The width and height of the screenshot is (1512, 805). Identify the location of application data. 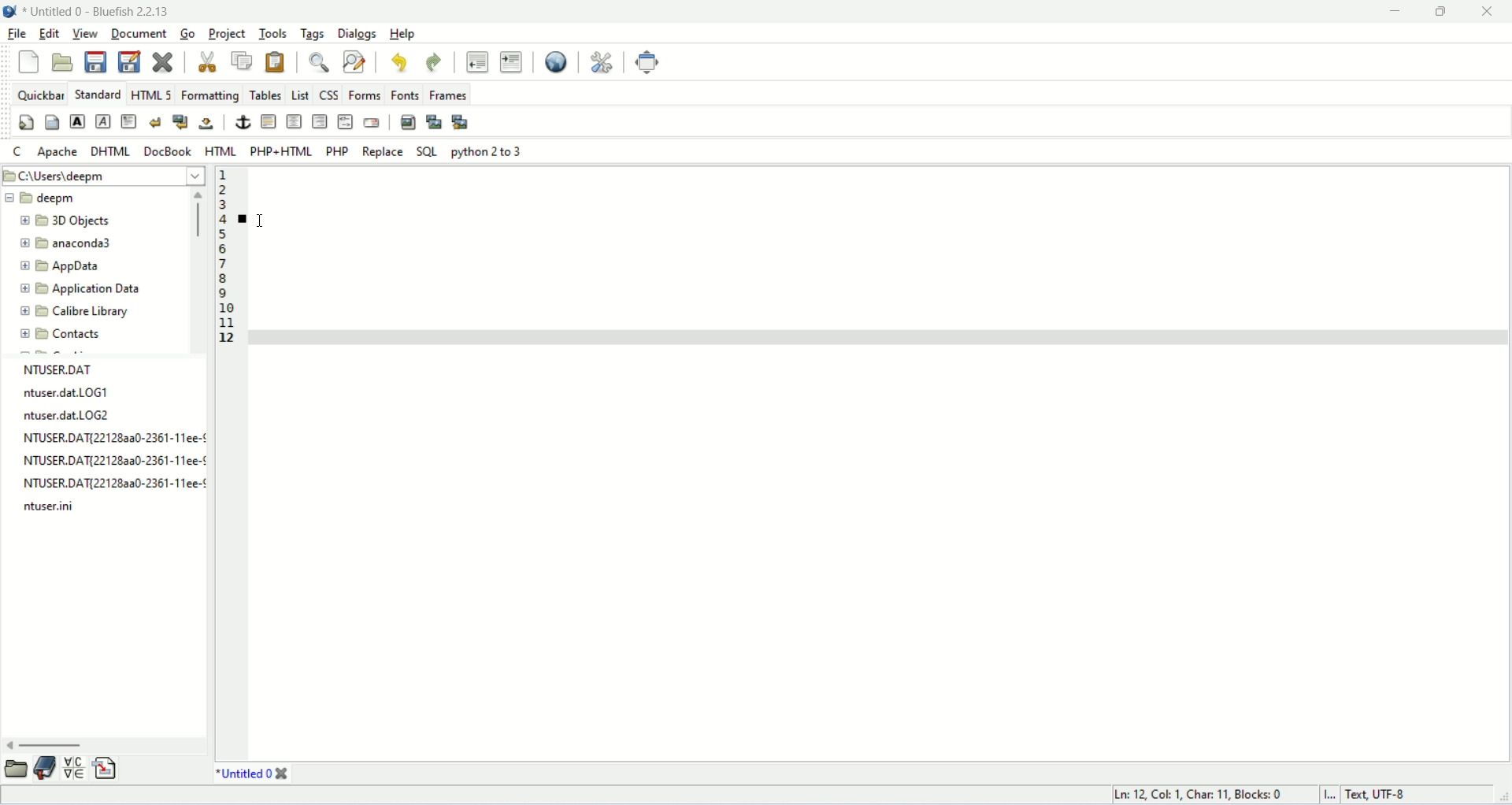
(78, 290).